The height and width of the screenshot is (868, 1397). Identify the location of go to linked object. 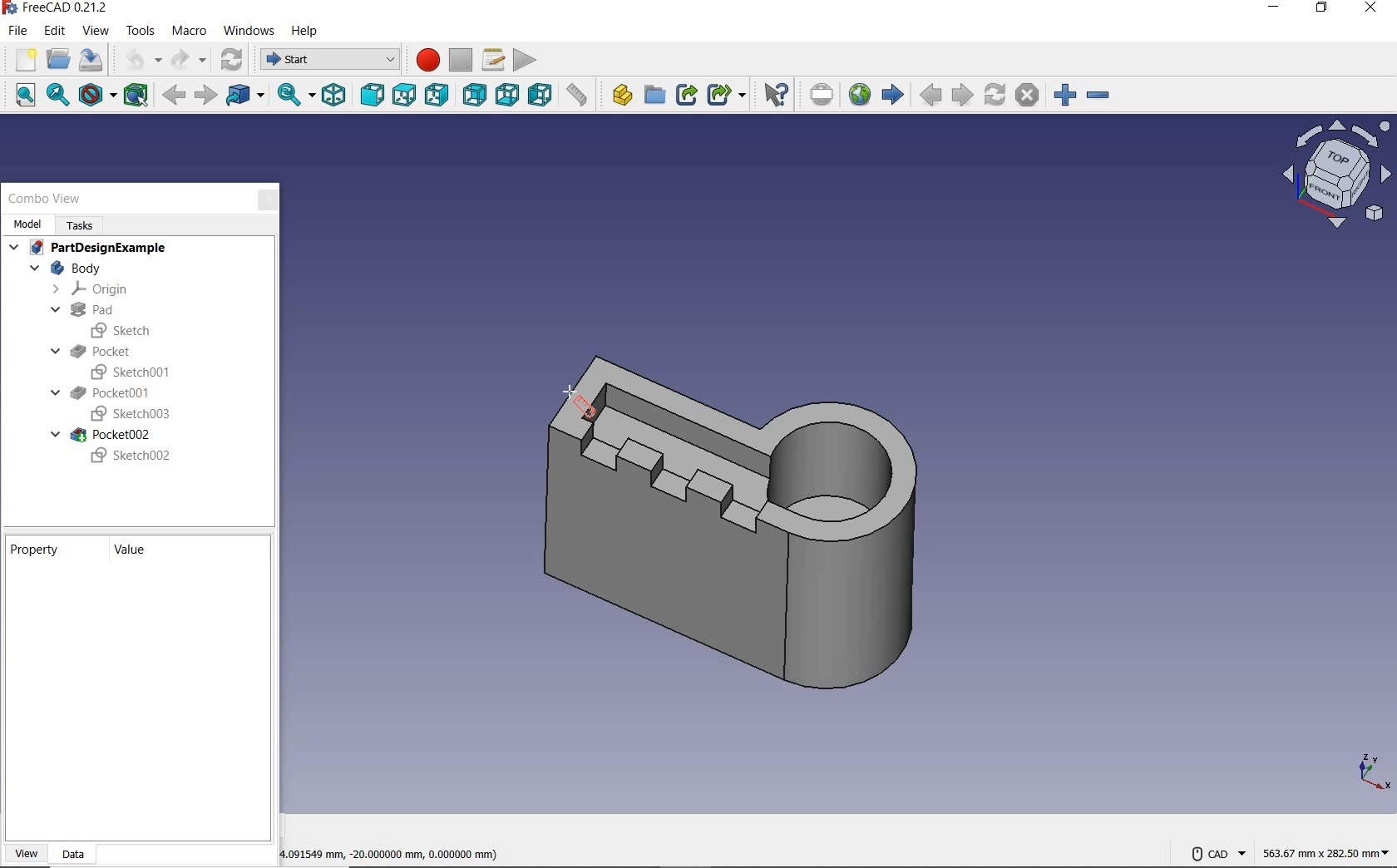
(245, 96).